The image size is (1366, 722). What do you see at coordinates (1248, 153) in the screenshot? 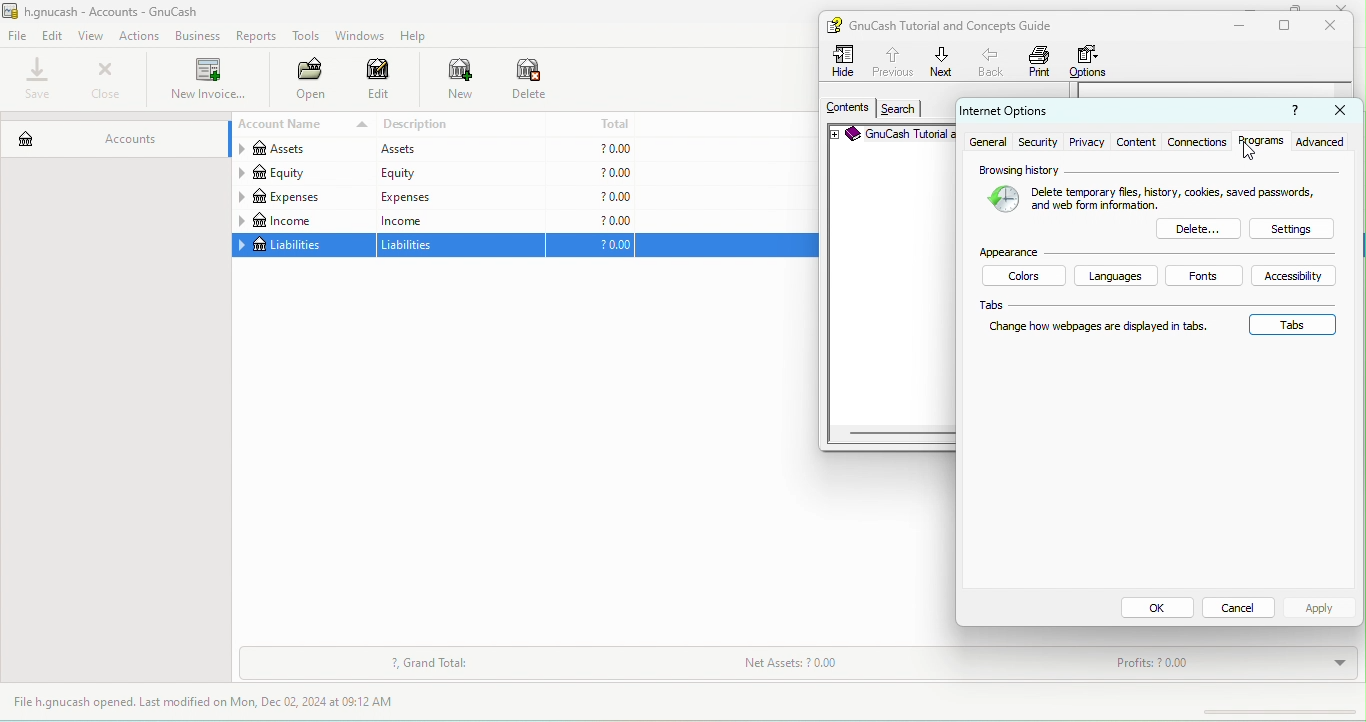
I see `cursor movement` at bounding box center [1248, 153].